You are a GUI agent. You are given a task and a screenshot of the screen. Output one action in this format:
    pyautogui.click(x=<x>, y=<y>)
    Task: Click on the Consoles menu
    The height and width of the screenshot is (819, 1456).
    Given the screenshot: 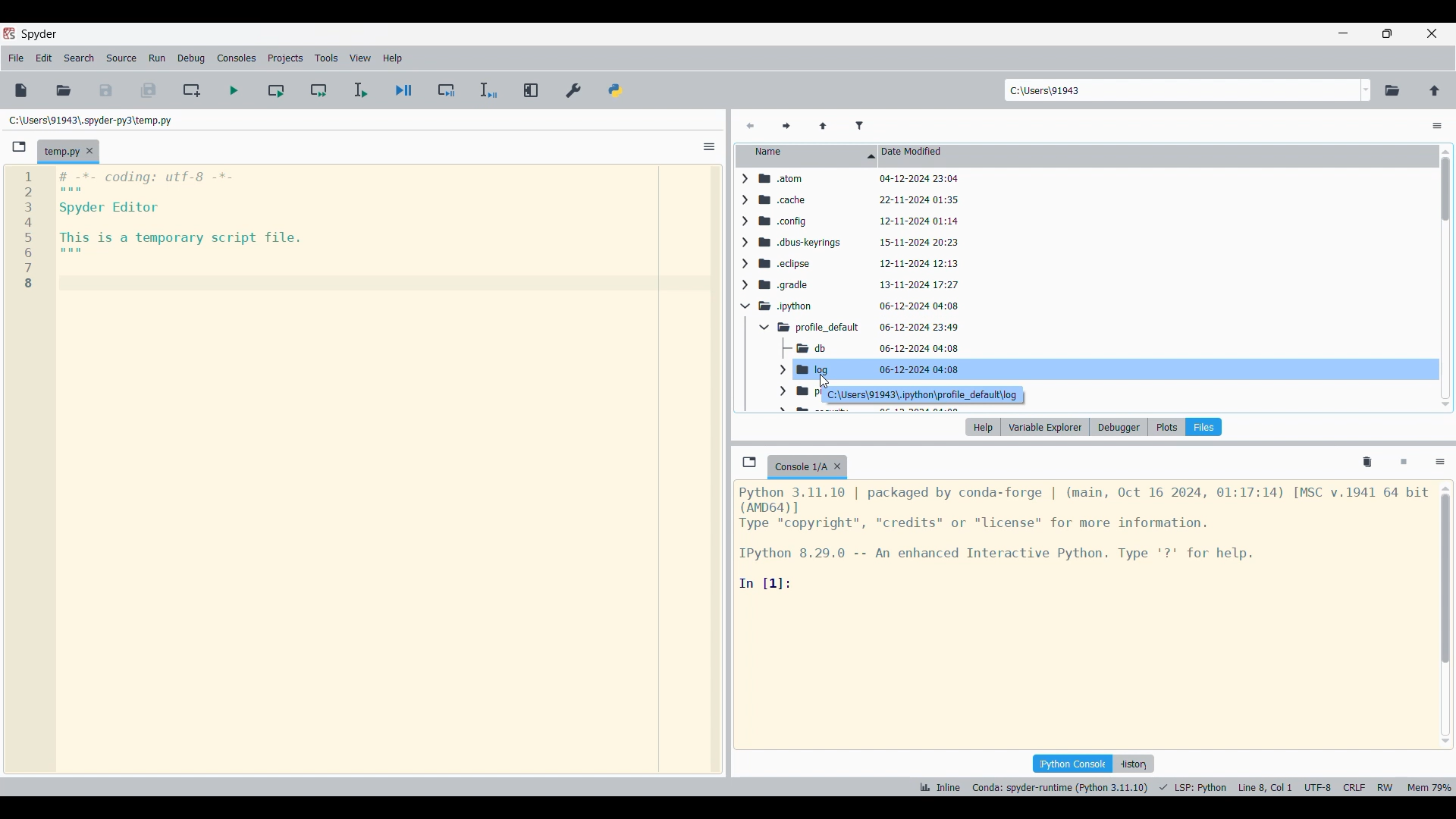 What is the action you would take?
    pyautogui.click(x=236, y=58)
    